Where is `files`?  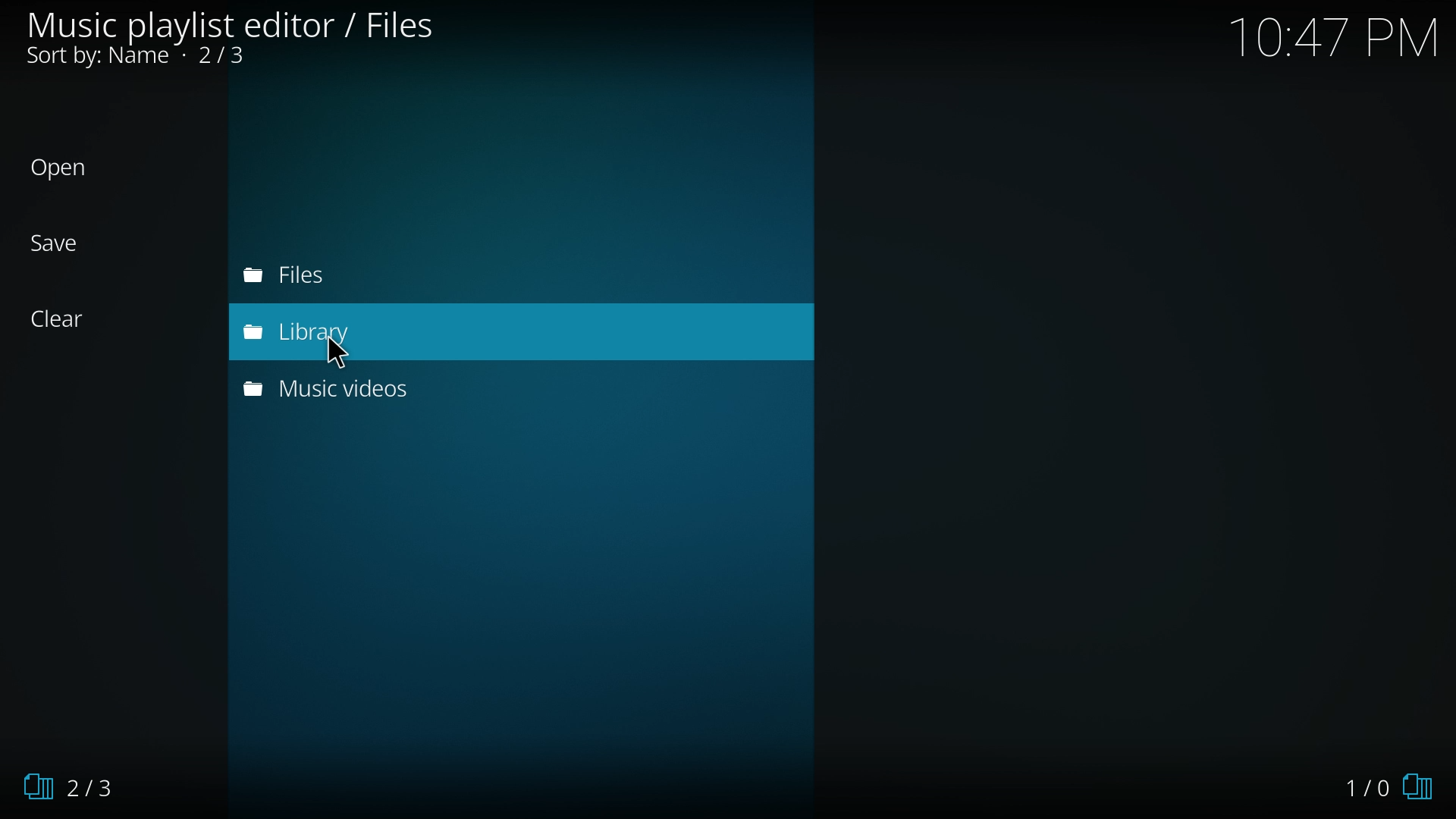 files is located at coordinates (237, 37).